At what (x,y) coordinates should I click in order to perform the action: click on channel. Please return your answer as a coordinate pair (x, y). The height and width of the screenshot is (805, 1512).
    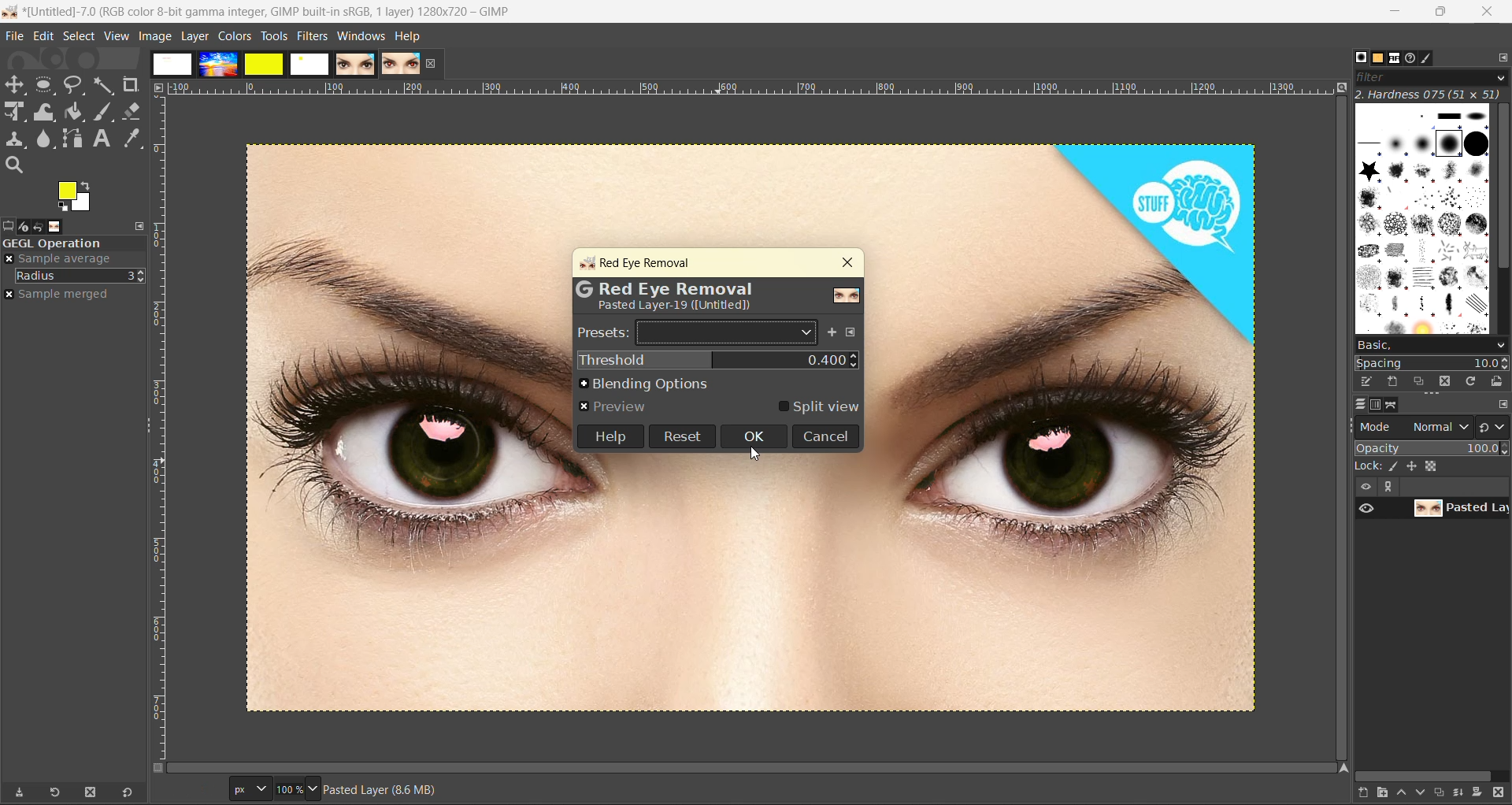
    Looking at the image, I should click on (1376, 405).